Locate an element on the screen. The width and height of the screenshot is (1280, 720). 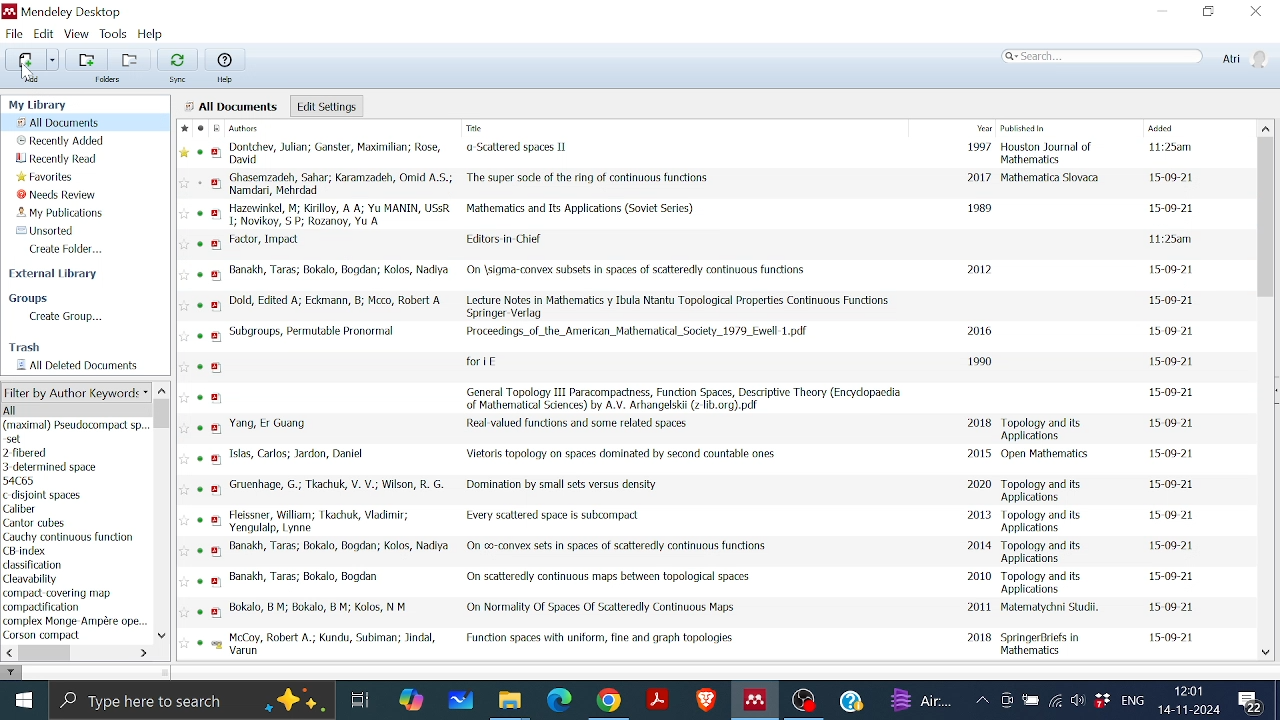
Help is located at coordinates (855, 701).